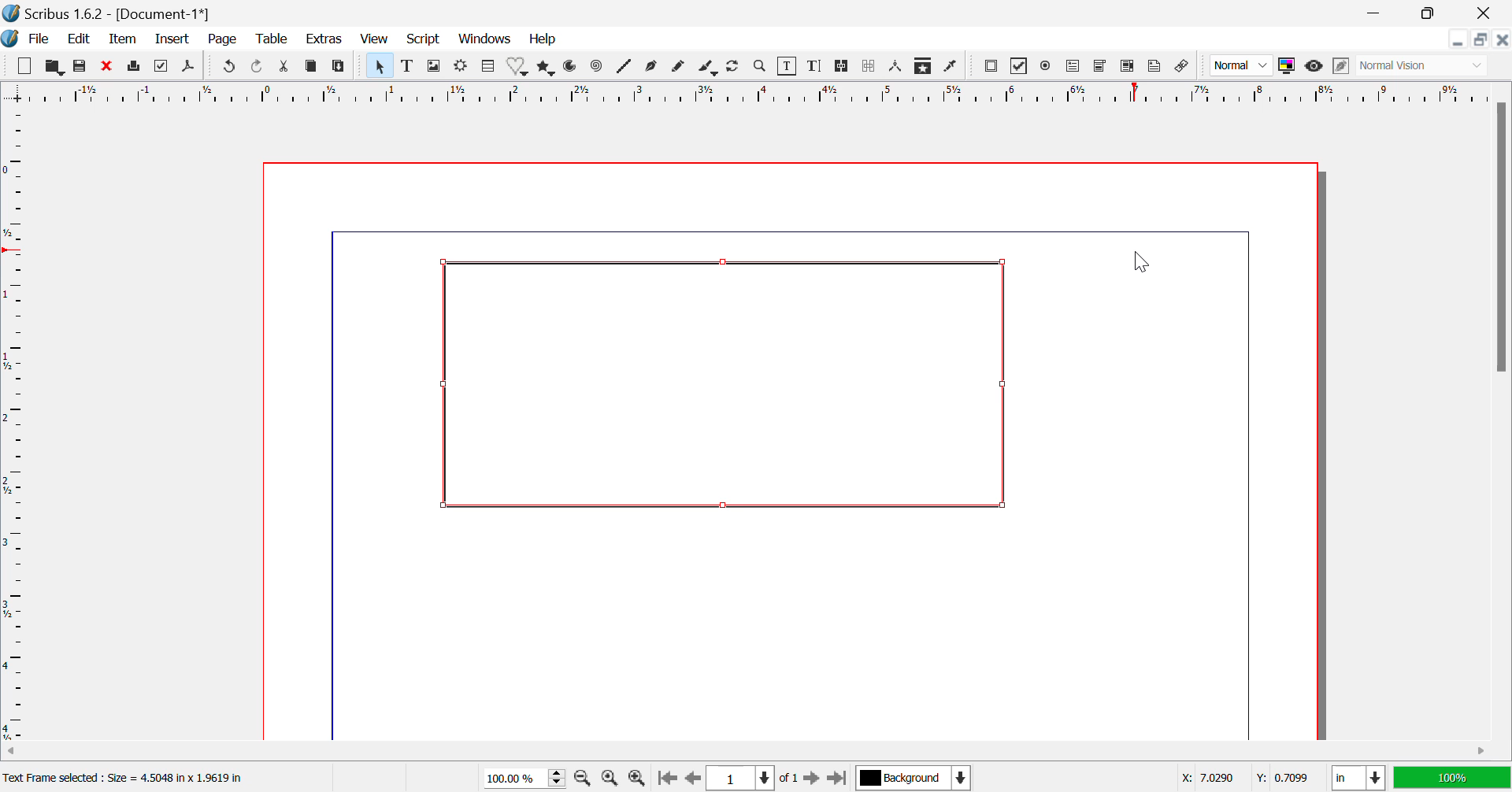 This screenshot has height=792, width=1512. I want to click on Restore Down, so click(1460, 40).